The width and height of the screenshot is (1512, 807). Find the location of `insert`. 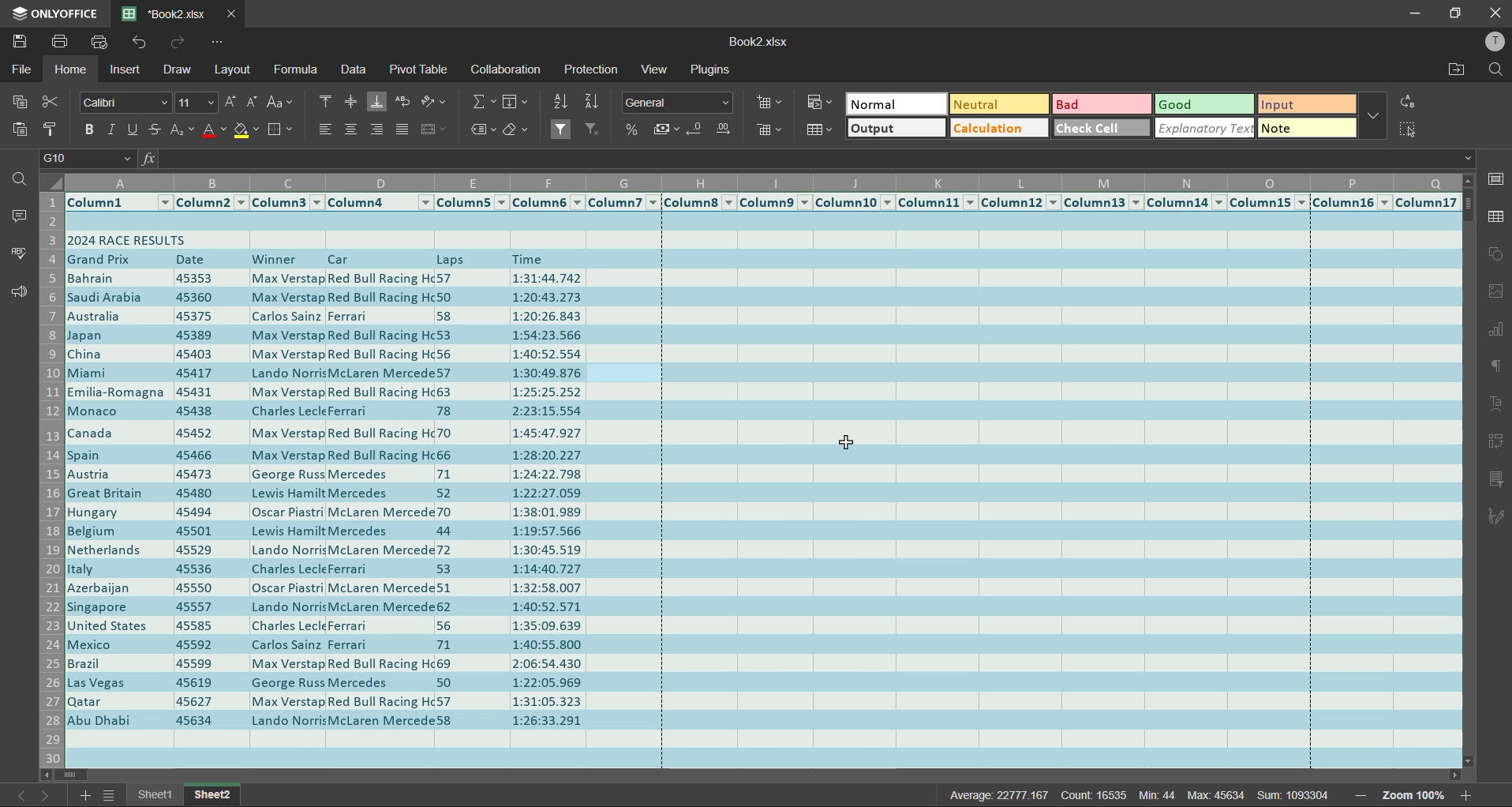

insert is located at coordinates (129, 70).